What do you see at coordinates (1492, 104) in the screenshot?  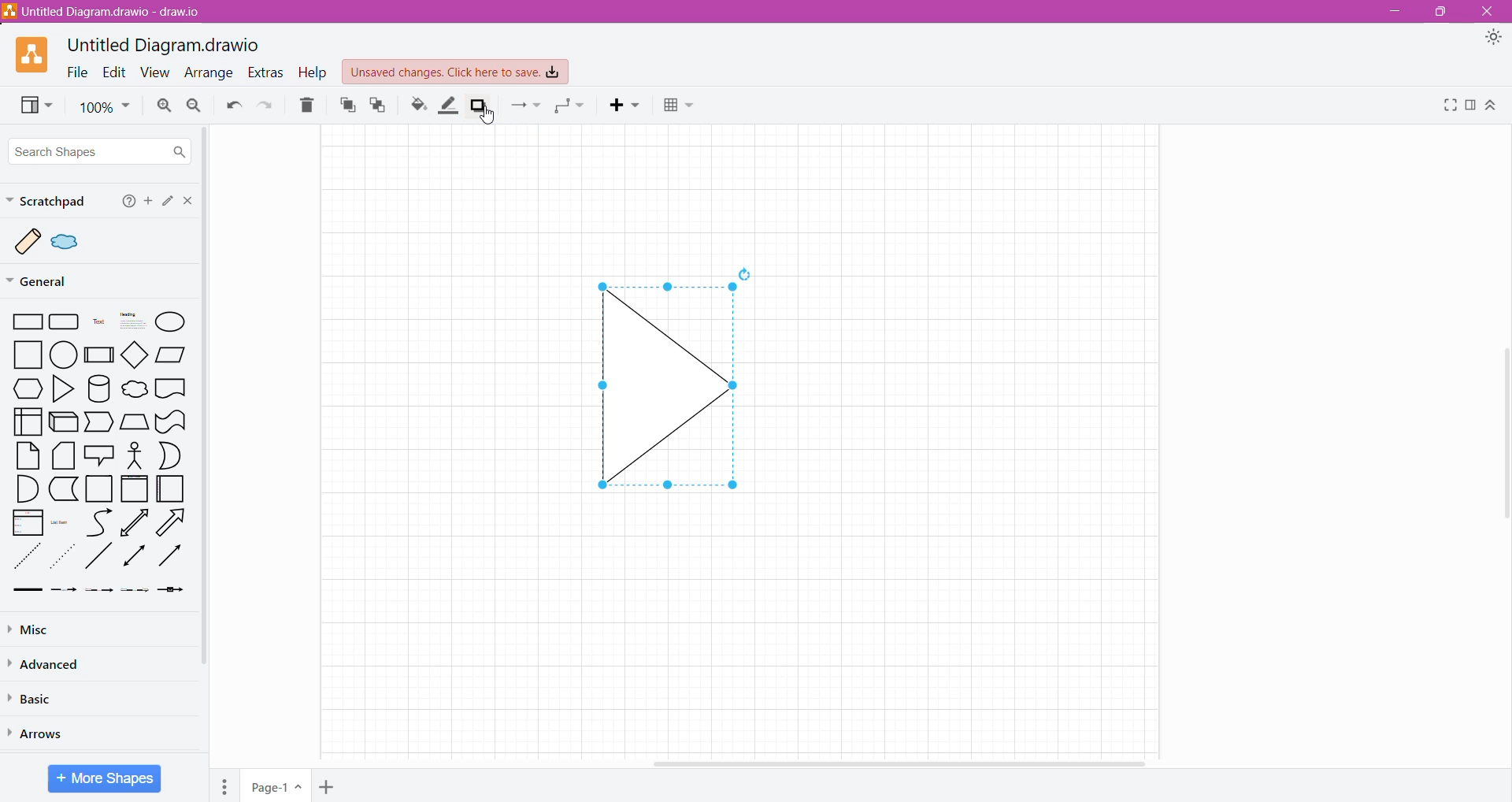 I see `Expand/Collapse` at bounding box center [1492, 104].